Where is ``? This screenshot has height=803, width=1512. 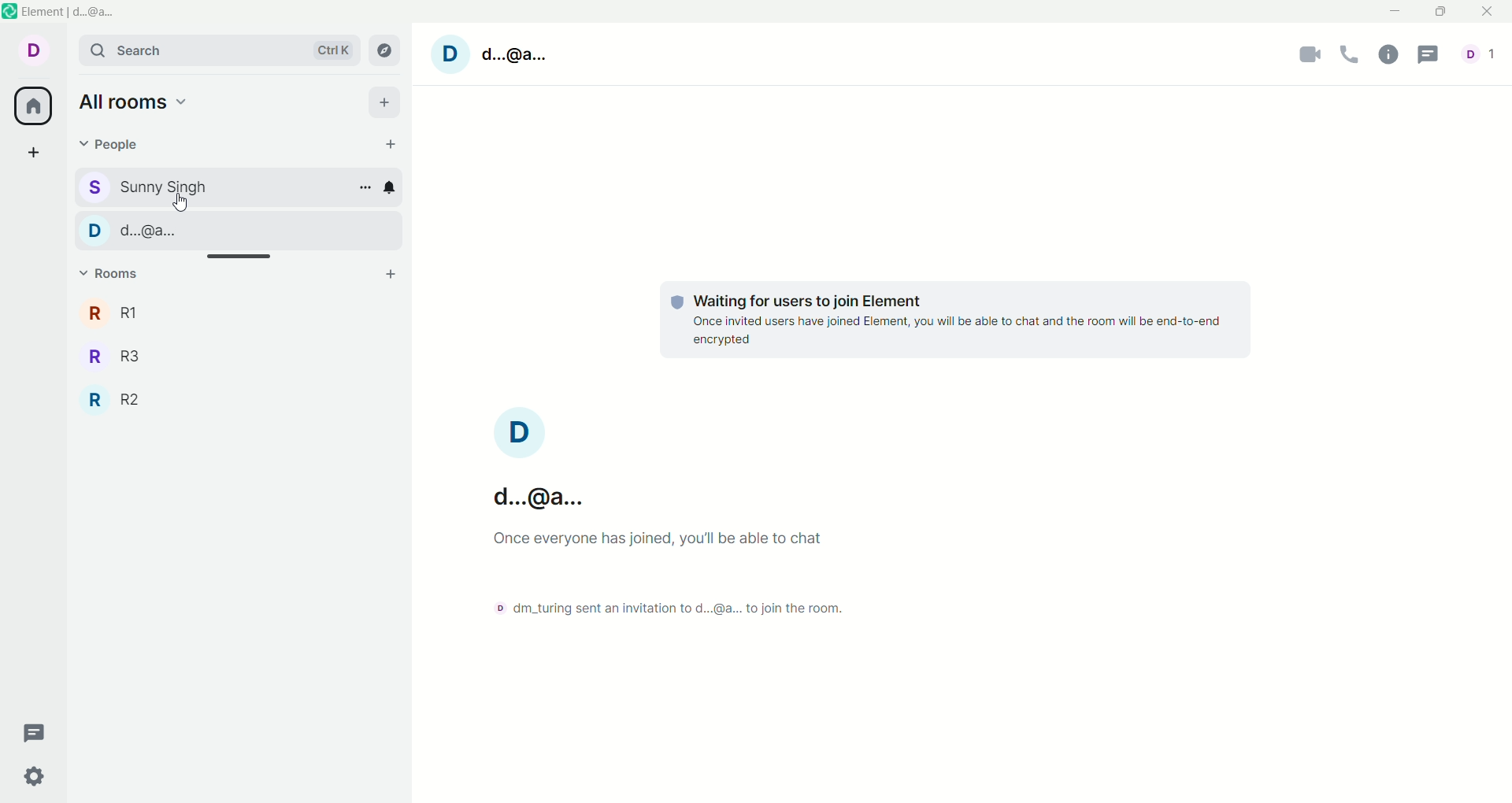  is located at coordinates (120, 354).